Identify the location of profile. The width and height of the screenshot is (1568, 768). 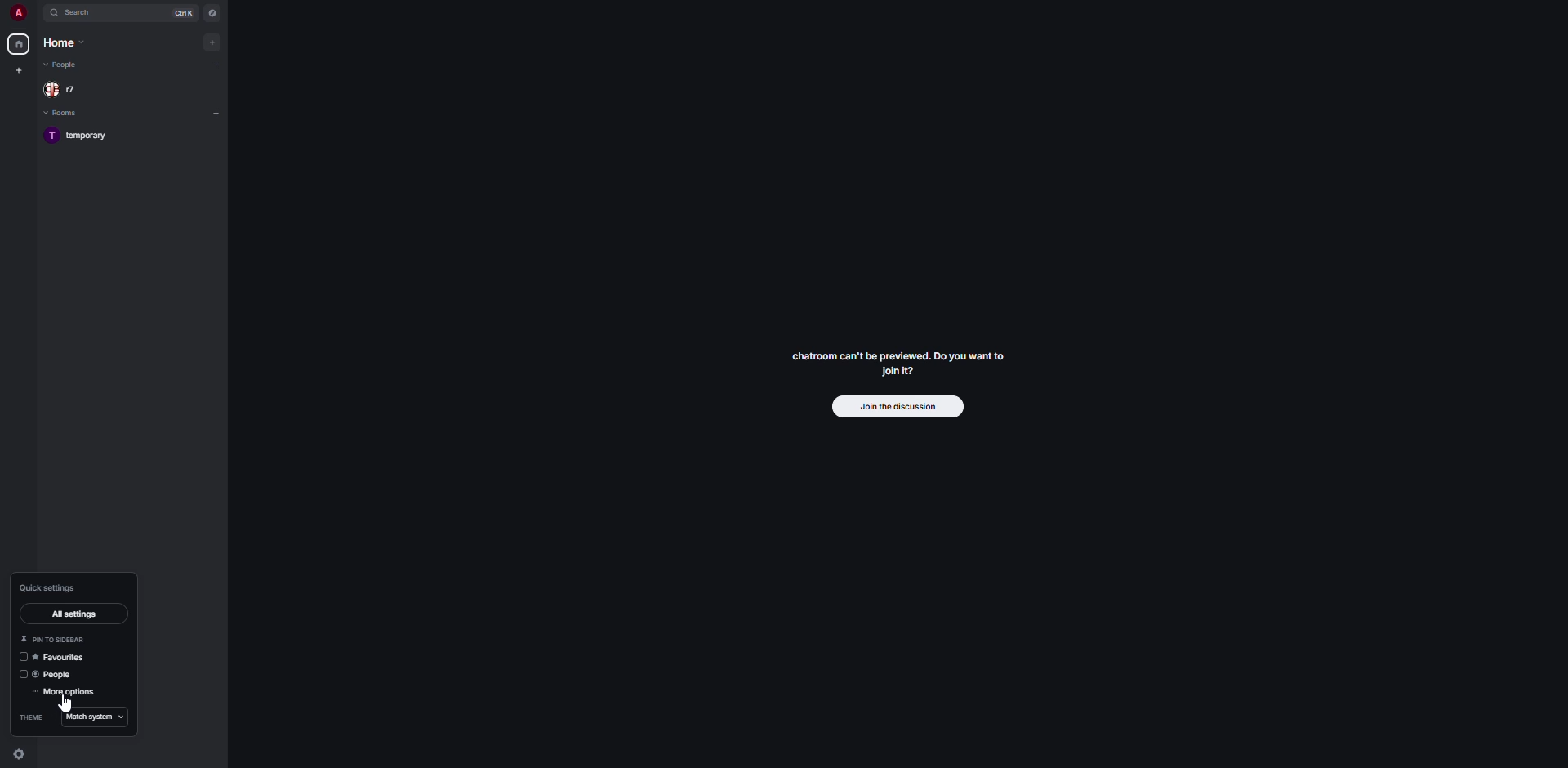
(18, 12).